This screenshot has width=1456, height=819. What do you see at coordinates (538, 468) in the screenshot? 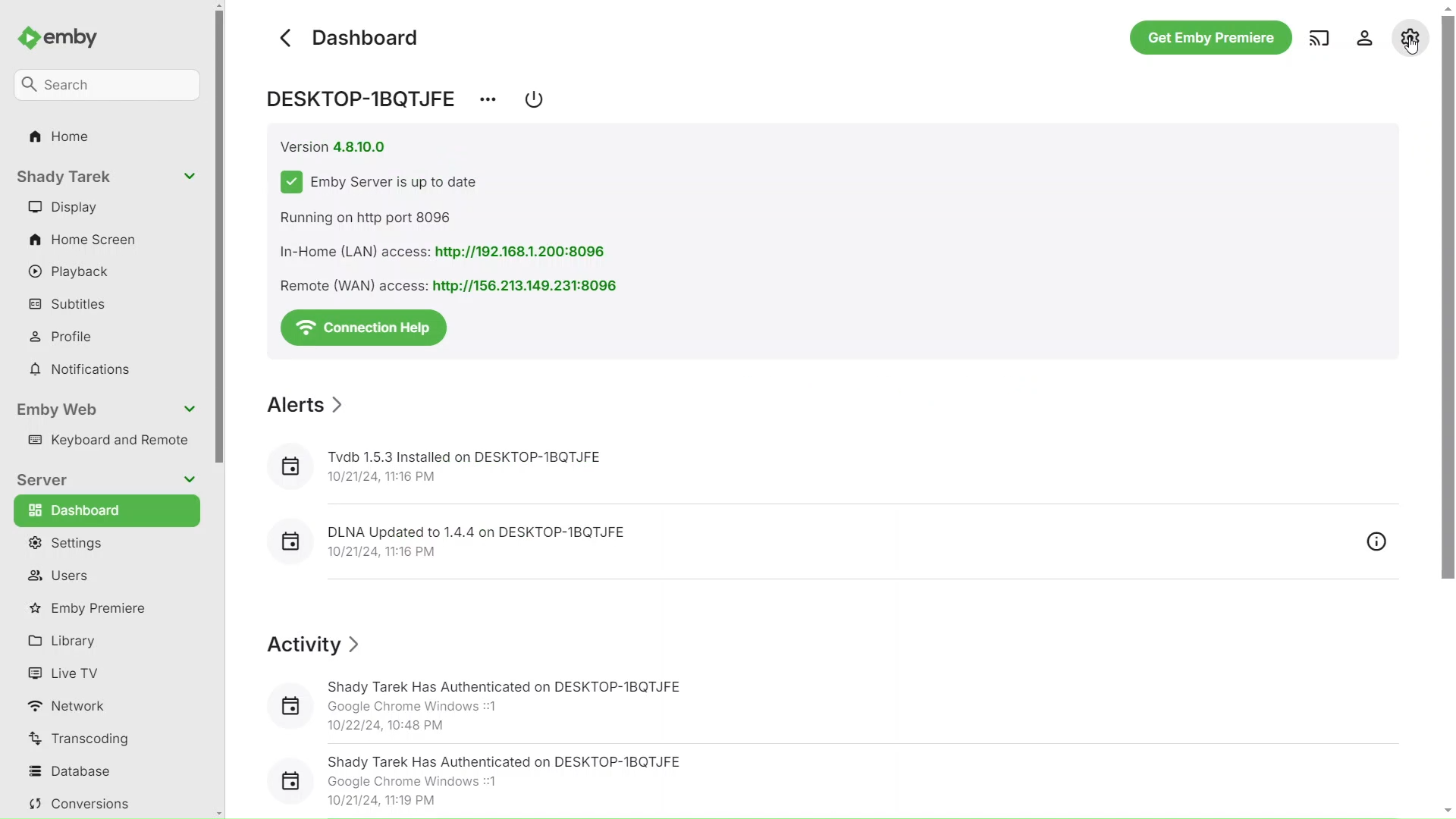
I see `8 Tvdb 1.5.3 Installed on DESKTOP-1BQTJFE10/21/24, 11:16 PM` at bounding box center [538, 468].